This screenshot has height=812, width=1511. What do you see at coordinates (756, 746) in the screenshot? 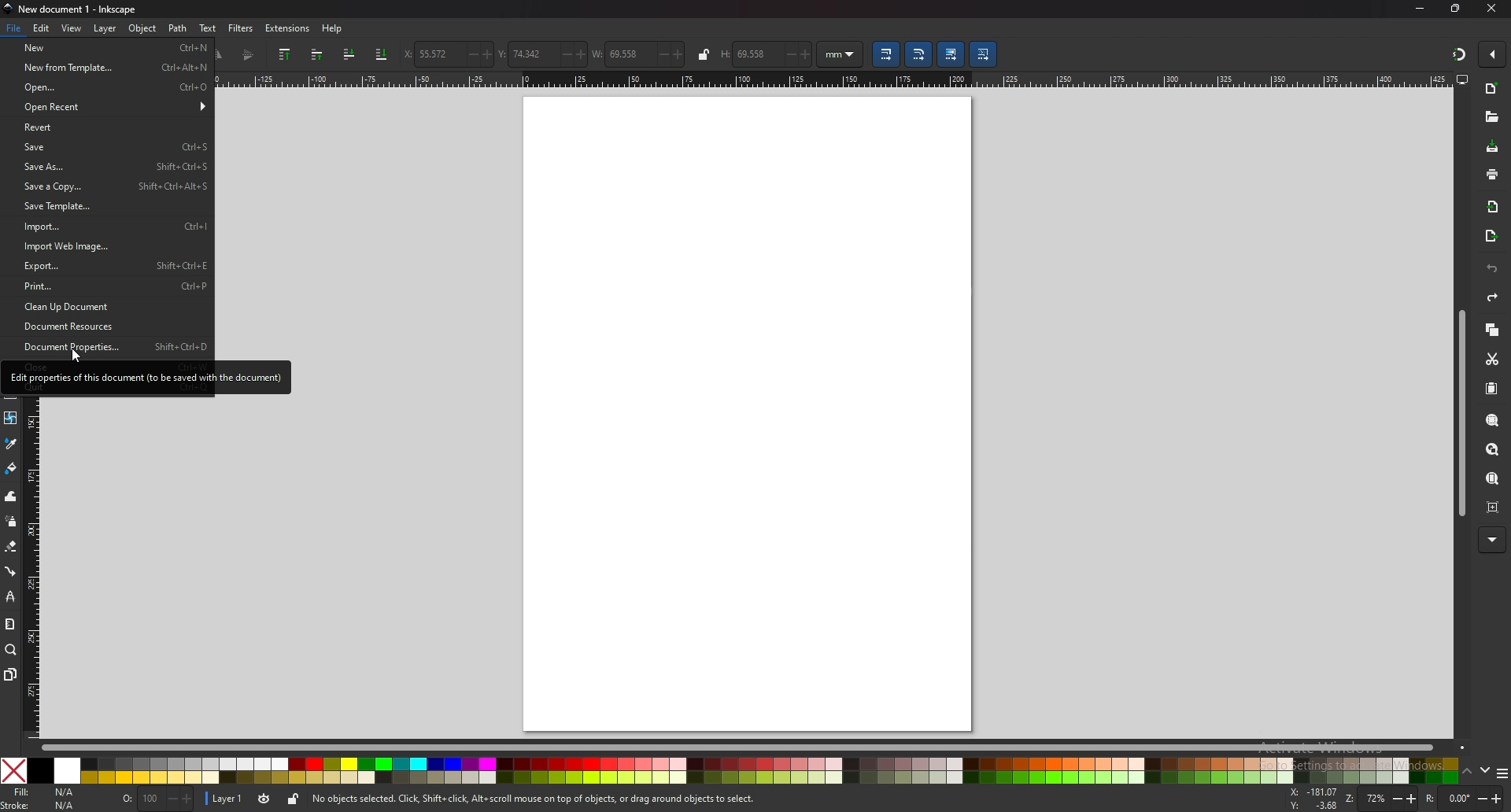
I see `scroll bar` at bounding box center [756, 746].